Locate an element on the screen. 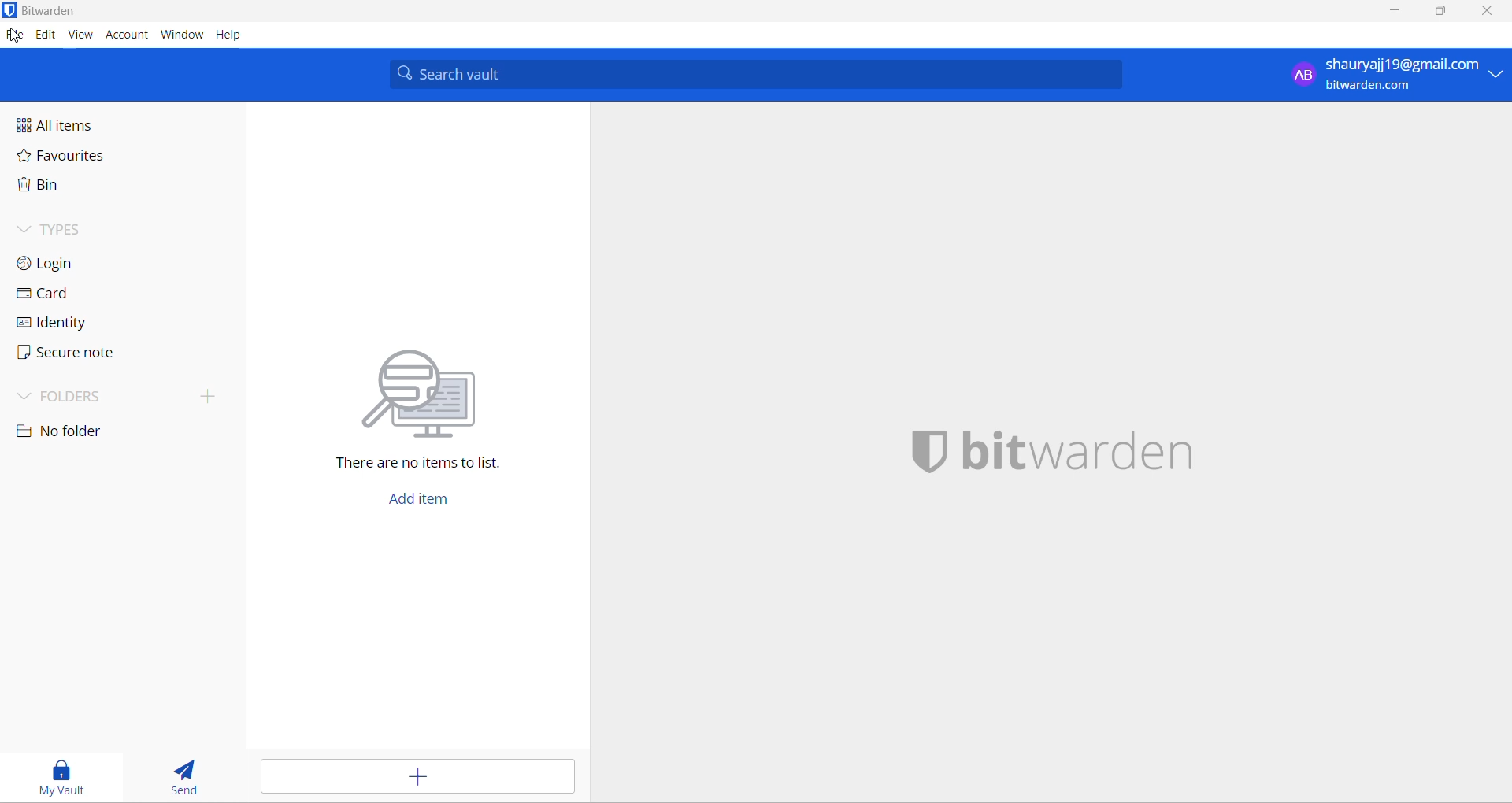 Image resolution: width=1512 pixels, height=803 pixels. bitwarden application name is located at coordinates (58, 10).